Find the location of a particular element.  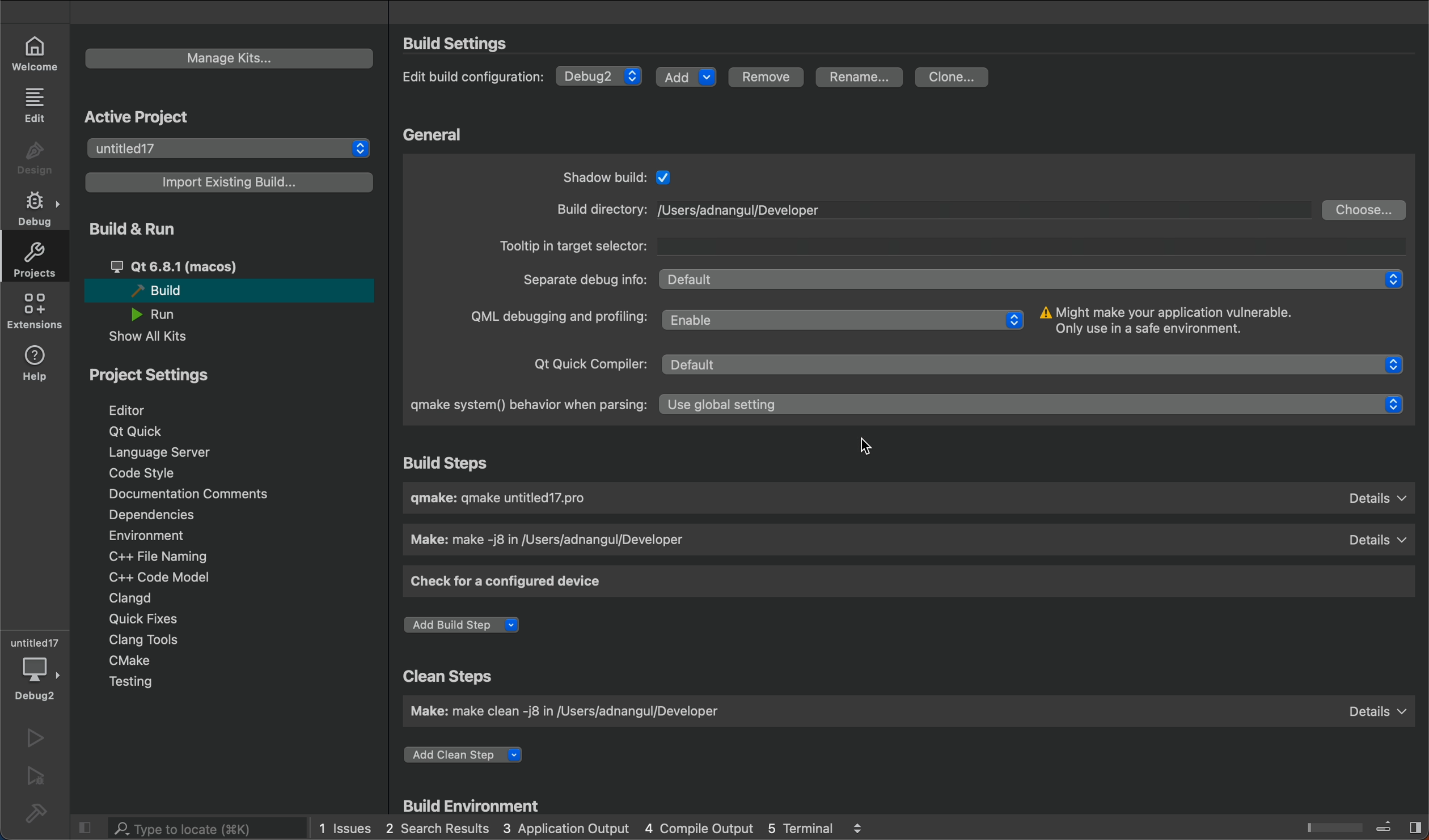

Enable is located at coordinates (1032, 278).